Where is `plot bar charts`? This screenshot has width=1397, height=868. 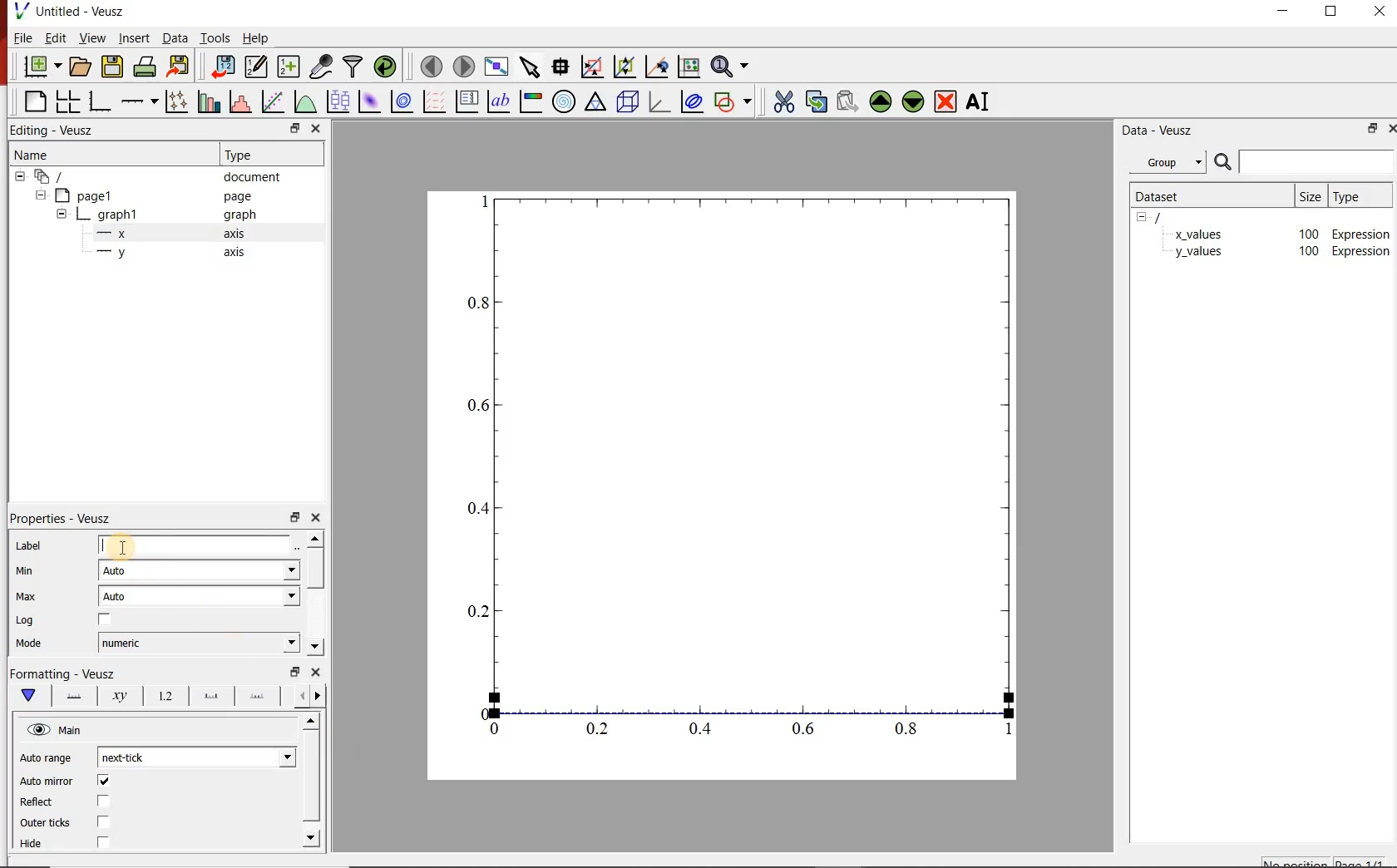 plot bar charts is located at coordinates (209, 101).